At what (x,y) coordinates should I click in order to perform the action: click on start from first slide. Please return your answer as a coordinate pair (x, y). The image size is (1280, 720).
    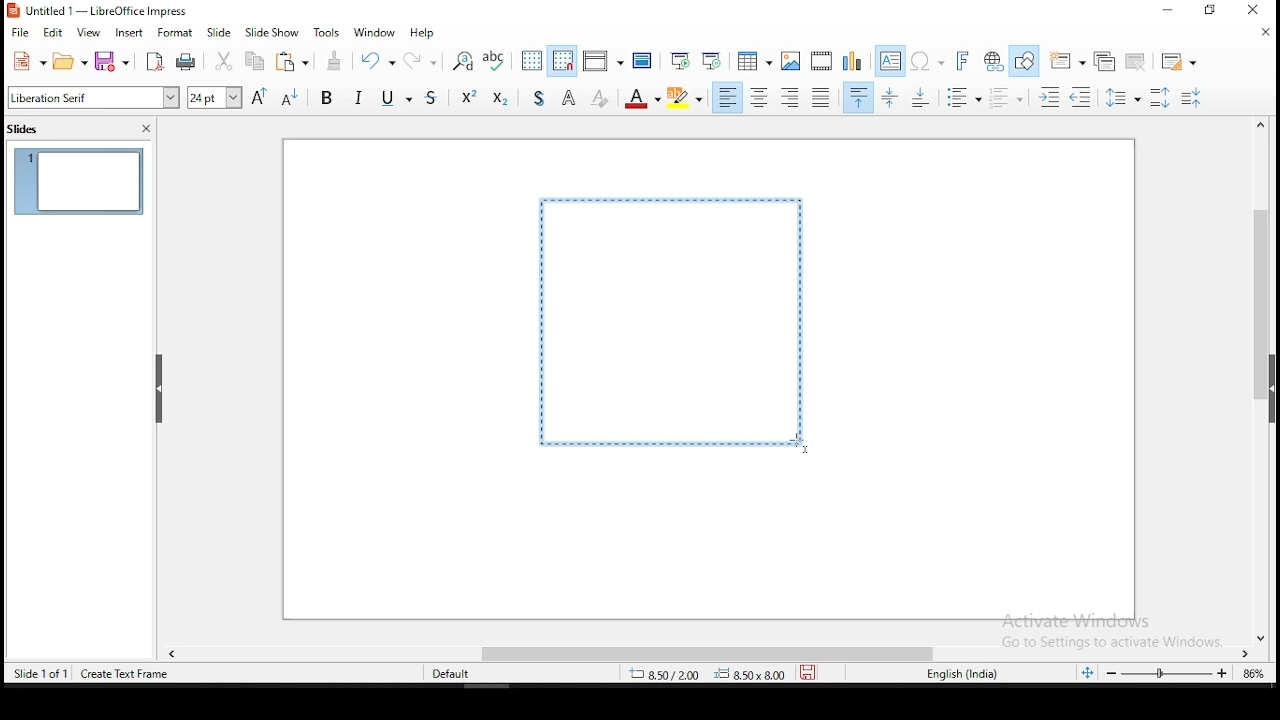
    Looking at the image, I should click on (677, 63).